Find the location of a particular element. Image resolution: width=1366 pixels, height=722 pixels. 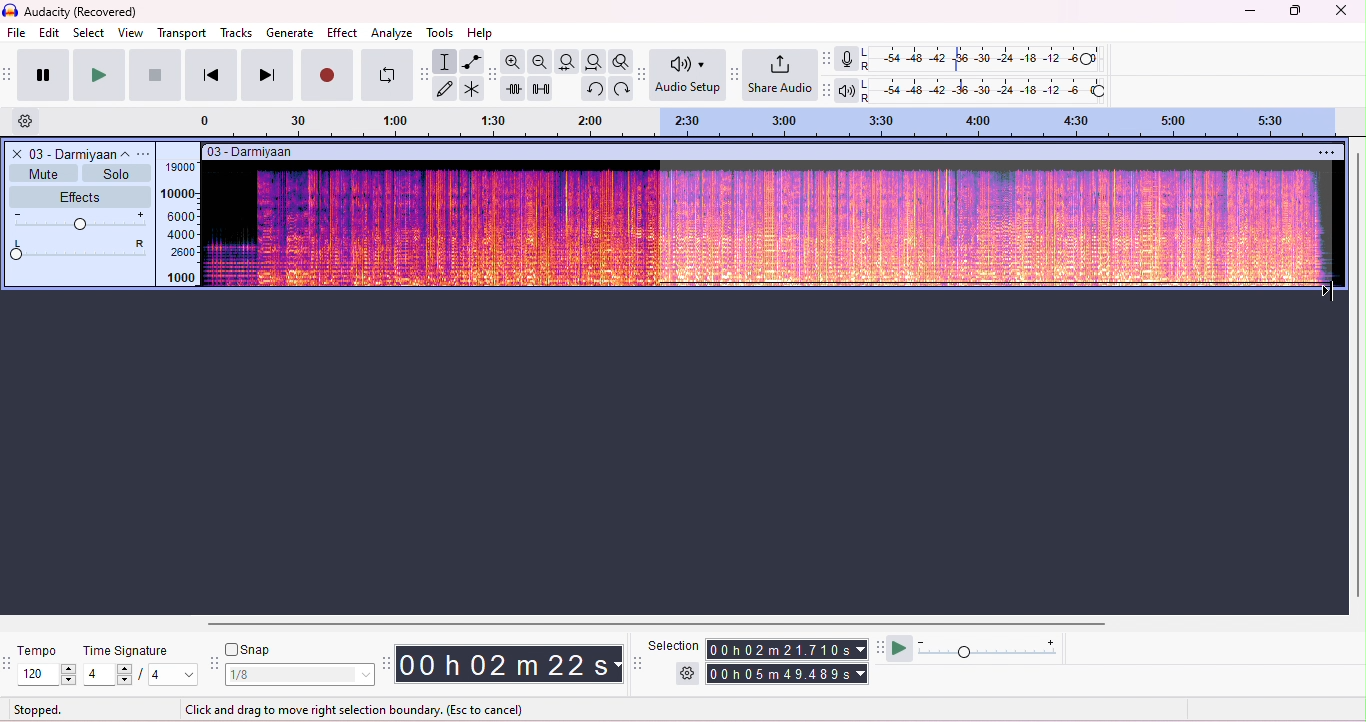

redo is located at coordinates (619, 88).